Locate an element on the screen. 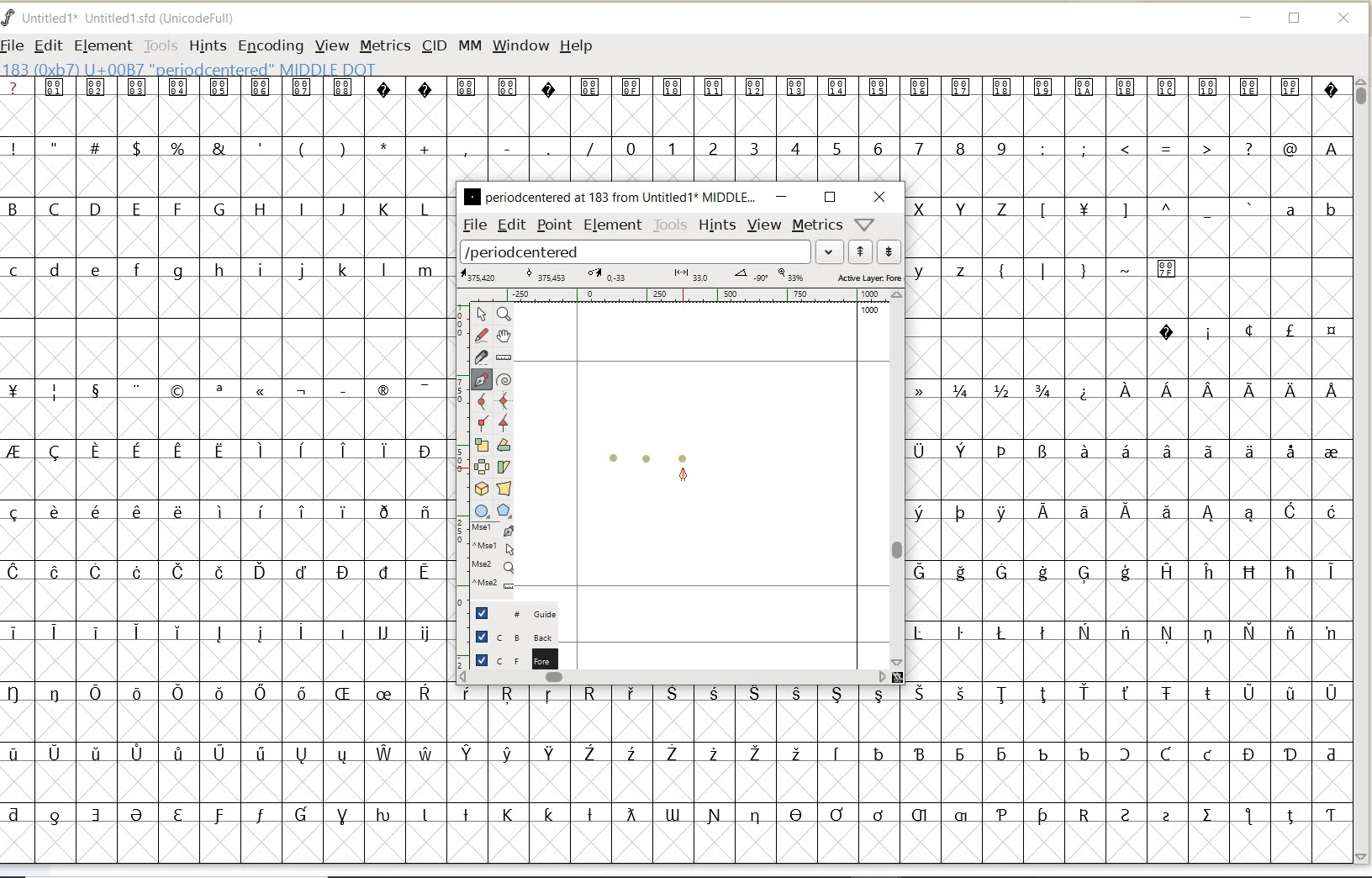  CID is located at coordinates (434, 48).